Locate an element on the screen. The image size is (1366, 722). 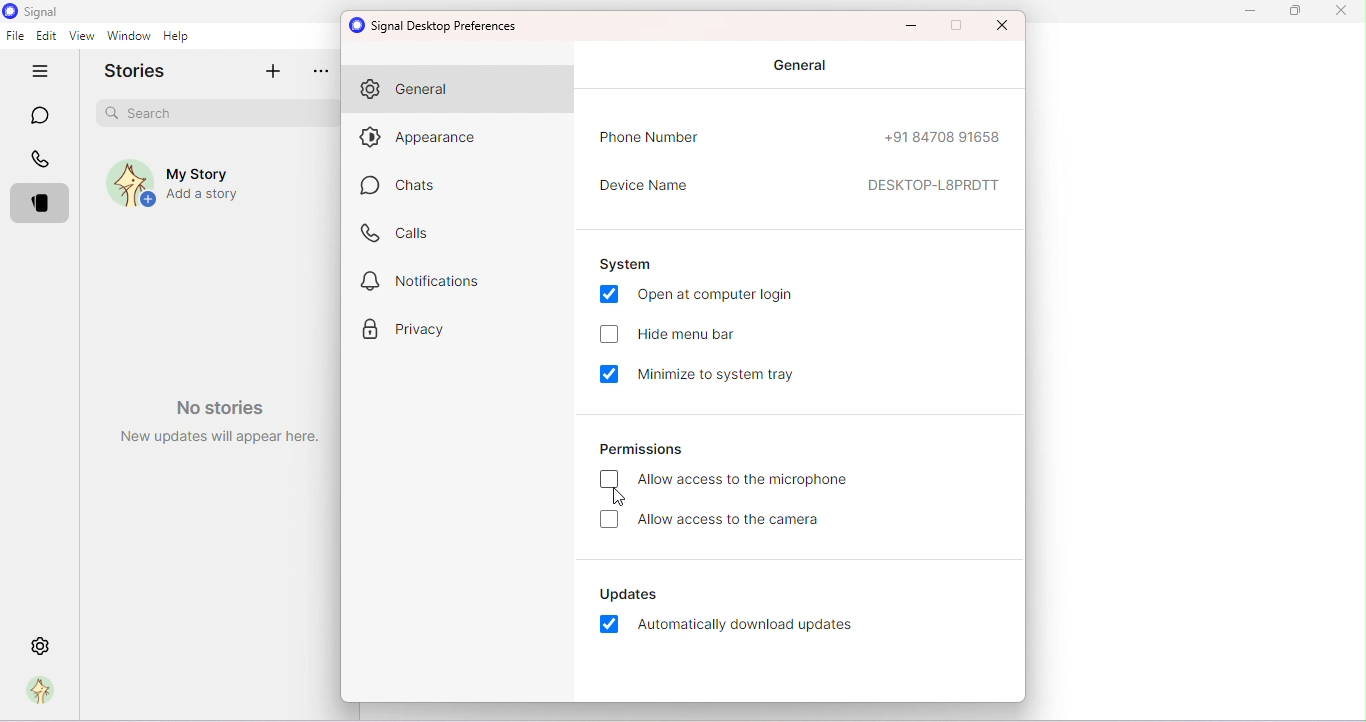
Allow access to the microphone is located at coordinates (729, 481).